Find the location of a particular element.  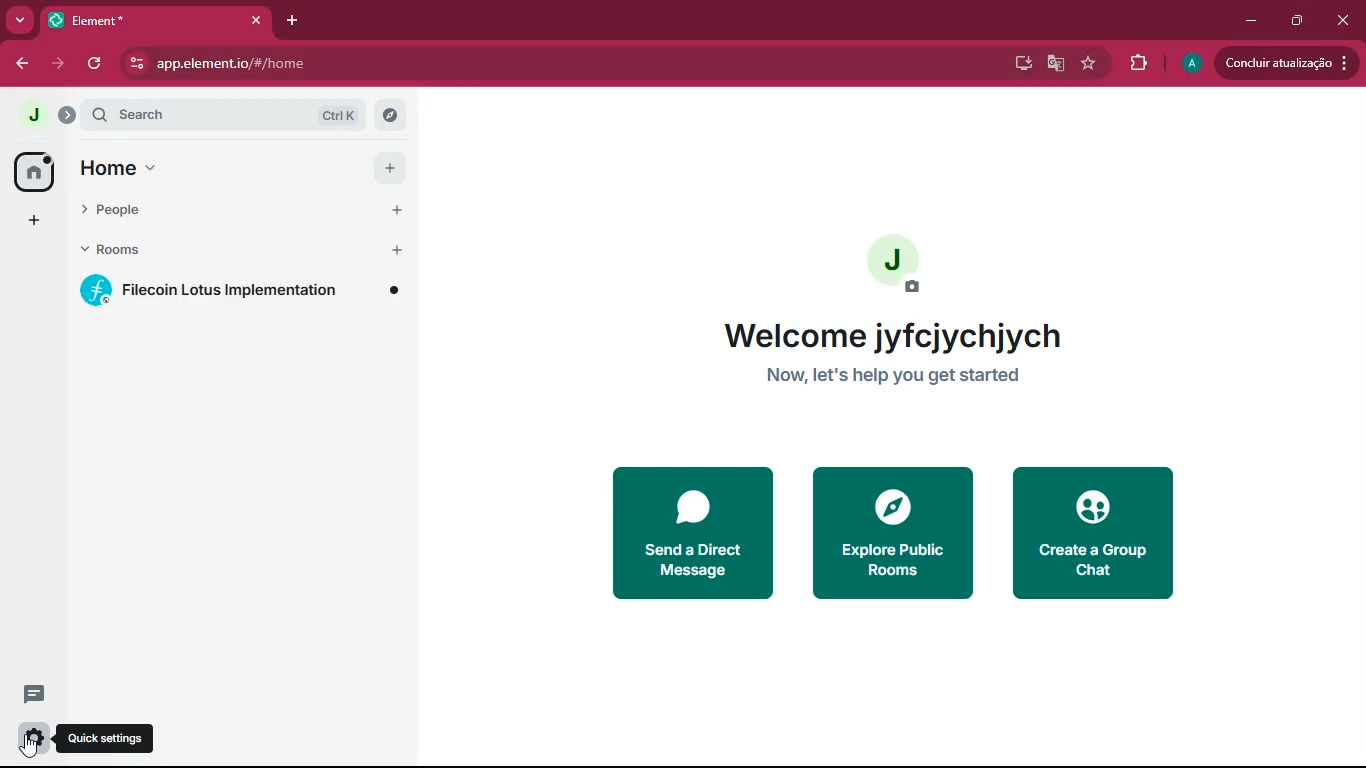

app.element.io/#/home is located at coordinates (335, 64).